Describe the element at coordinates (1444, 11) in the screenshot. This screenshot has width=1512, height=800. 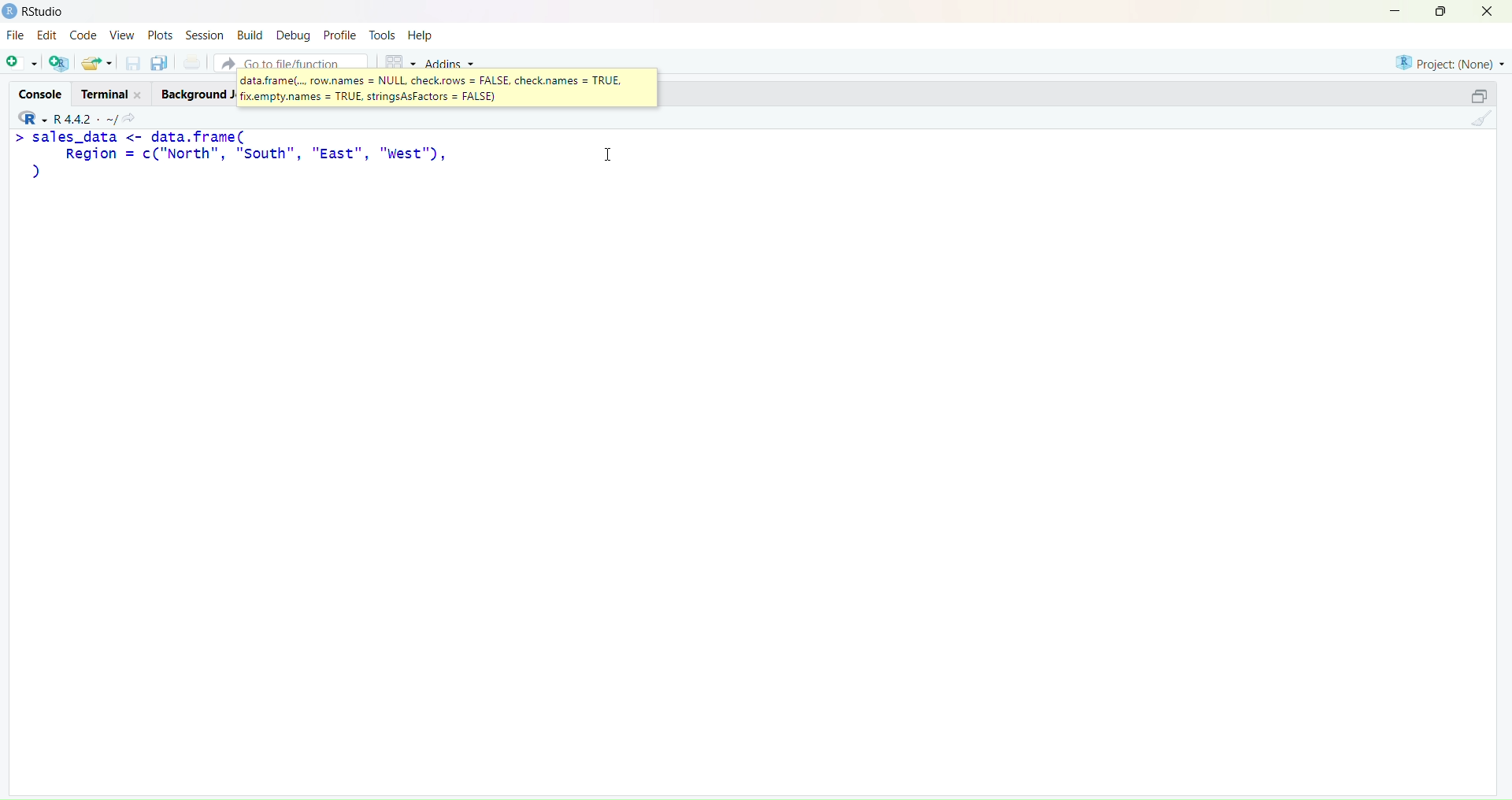
I see `maximise` at that location.